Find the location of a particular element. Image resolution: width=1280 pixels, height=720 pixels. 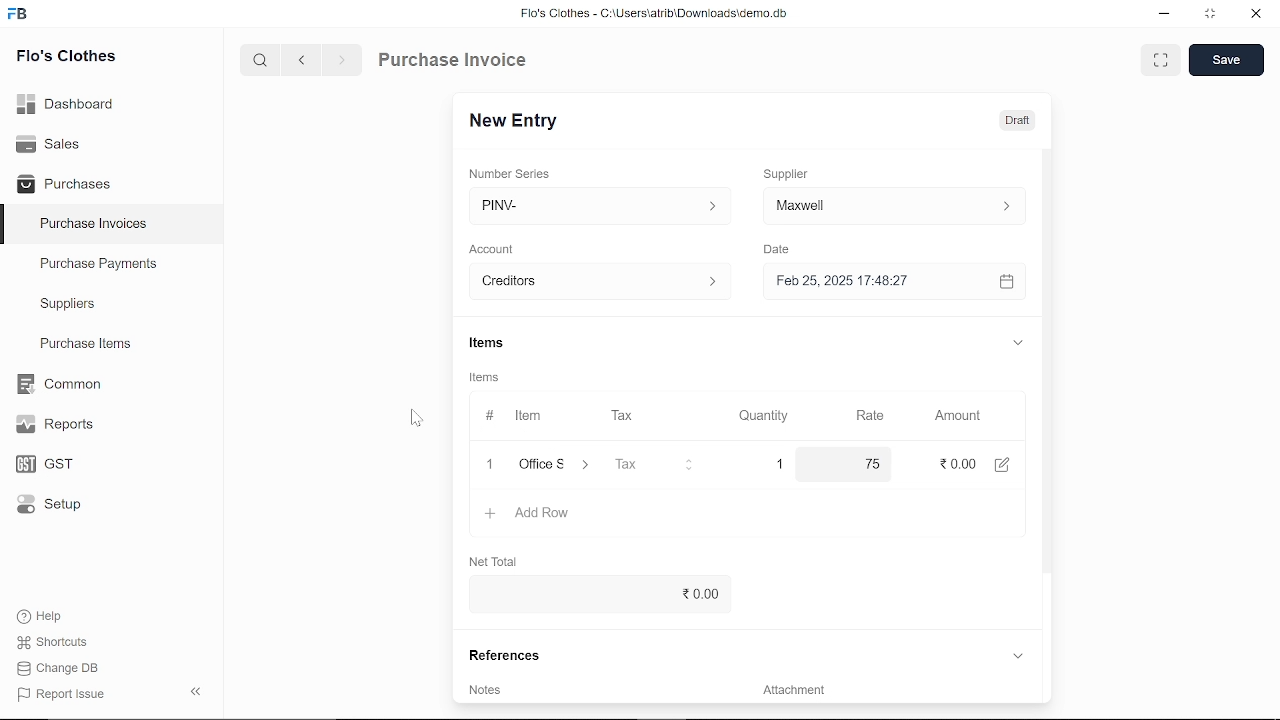

frappe books logo is located at coordinates (22, 15).